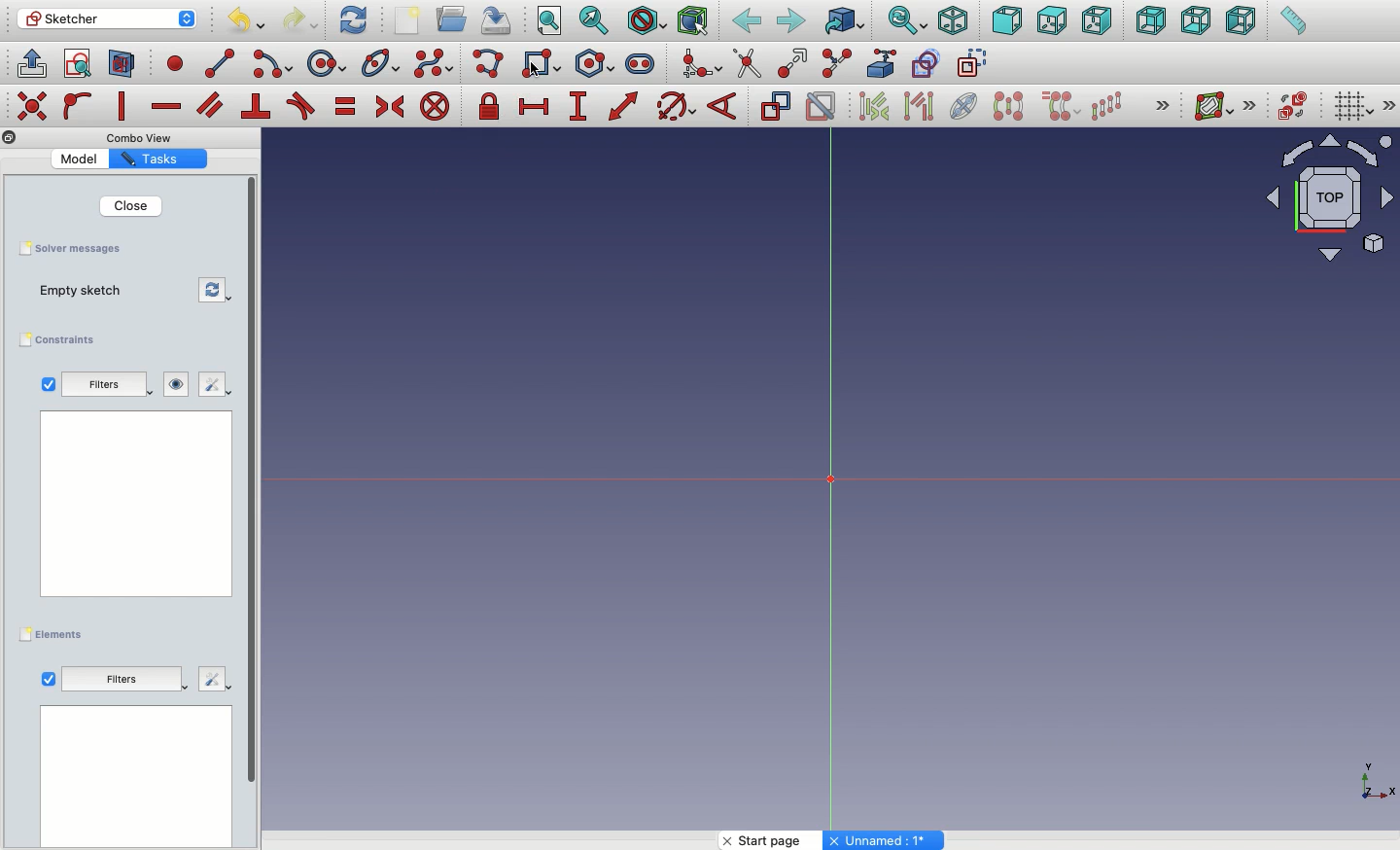  I want to click on Bottom, so click(1194, 22).